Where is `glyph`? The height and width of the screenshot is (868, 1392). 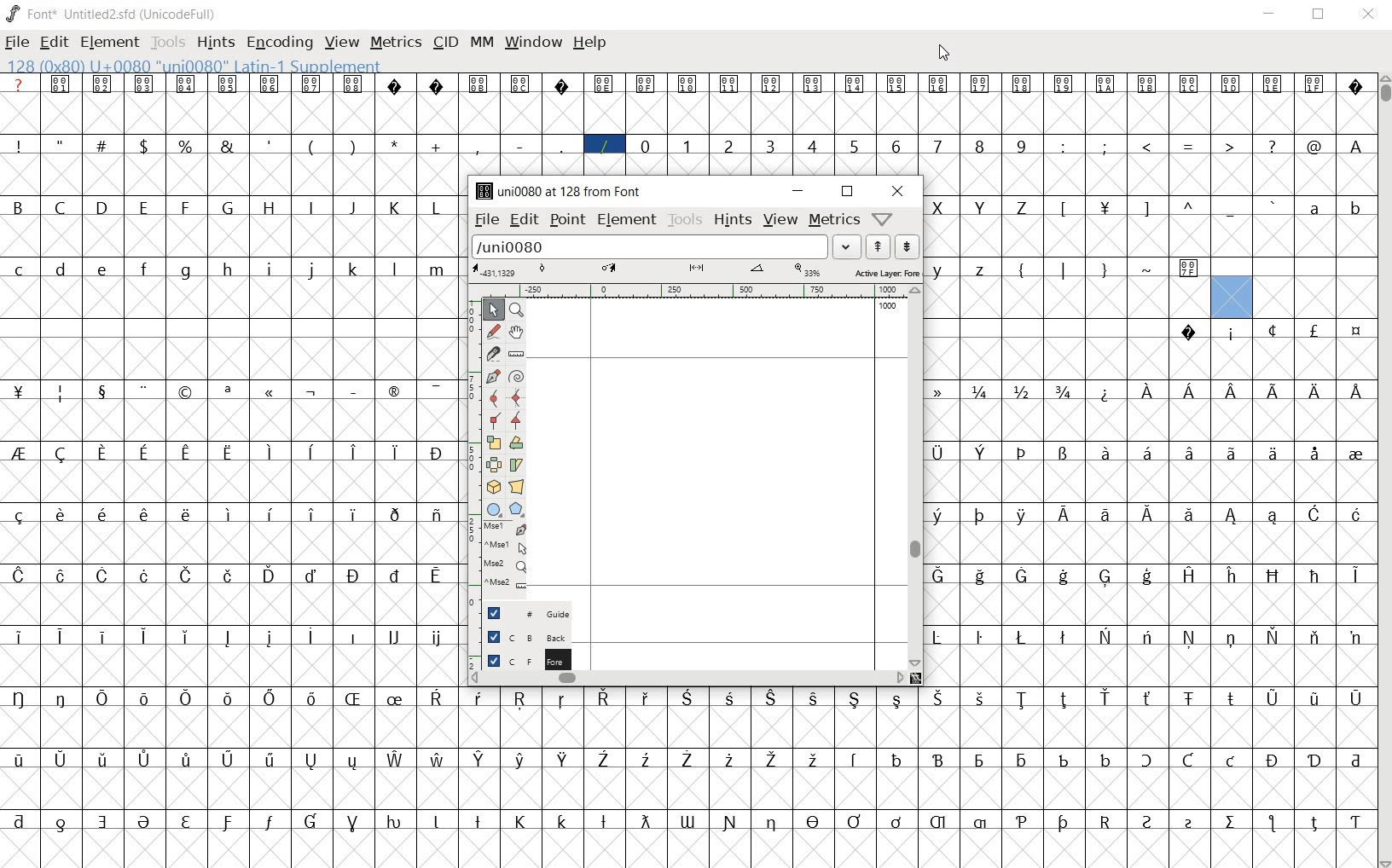 glyph is located at coordinates (186, 822).